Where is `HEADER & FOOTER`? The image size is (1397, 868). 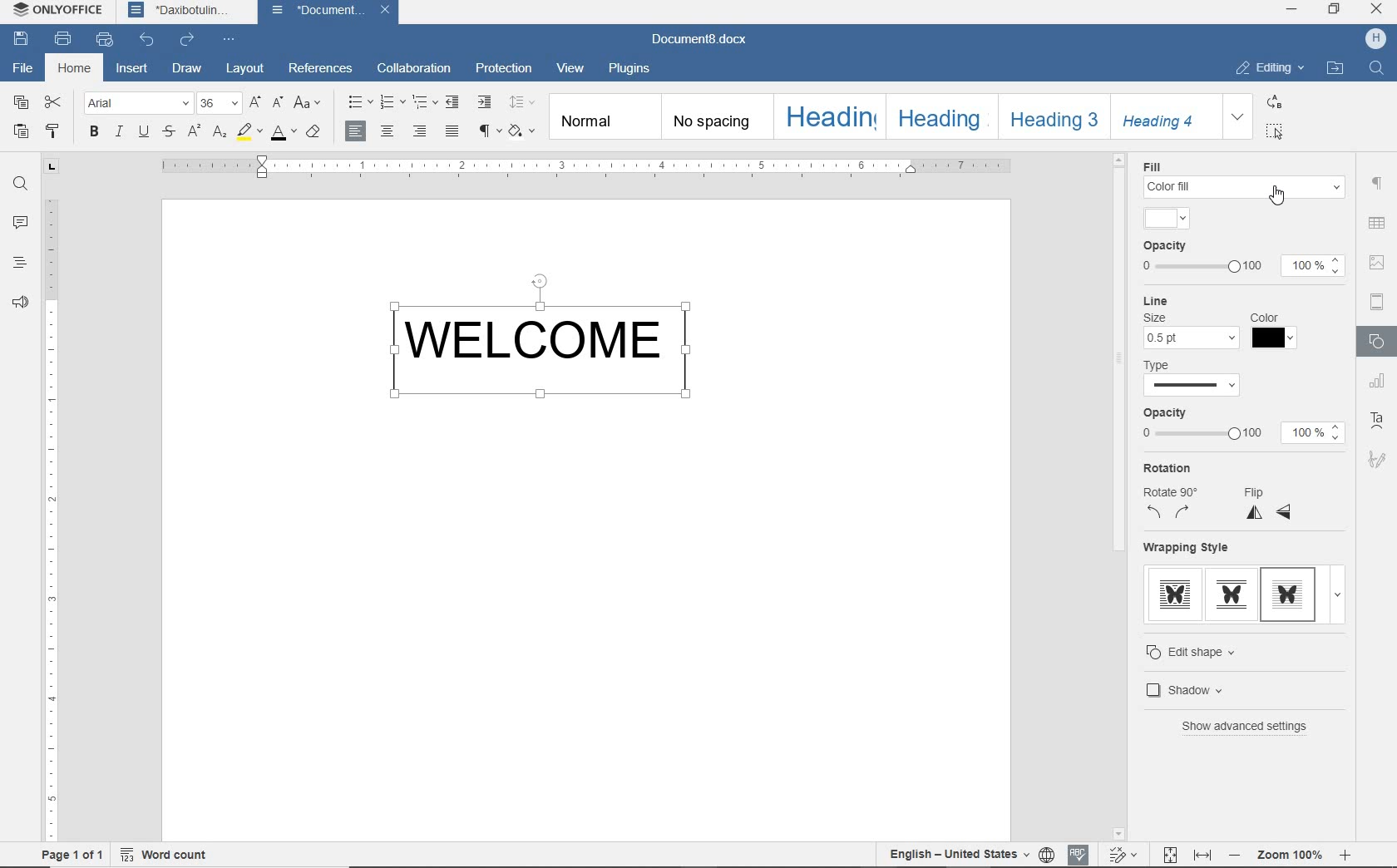
HEADER & FOOTER is located at coordinates (1379, 302).